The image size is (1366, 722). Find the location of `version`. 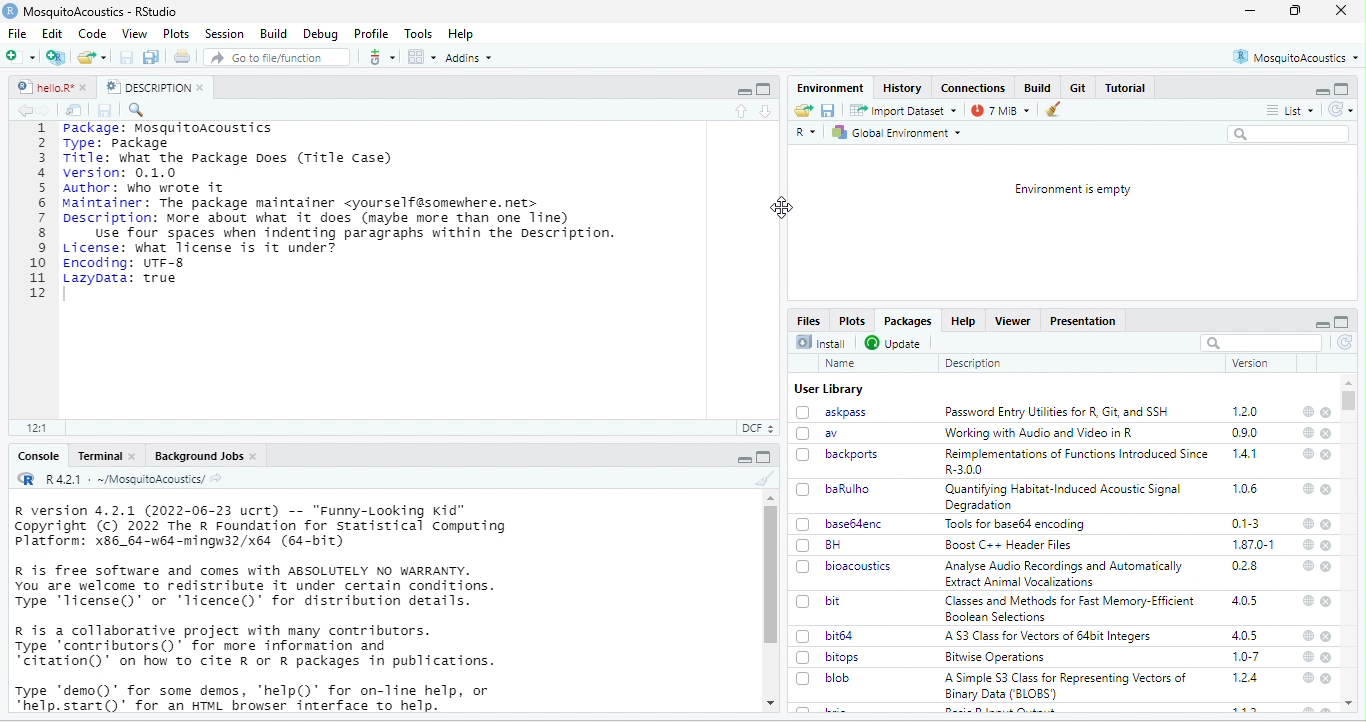

version is located at coordinates (1248, 363).